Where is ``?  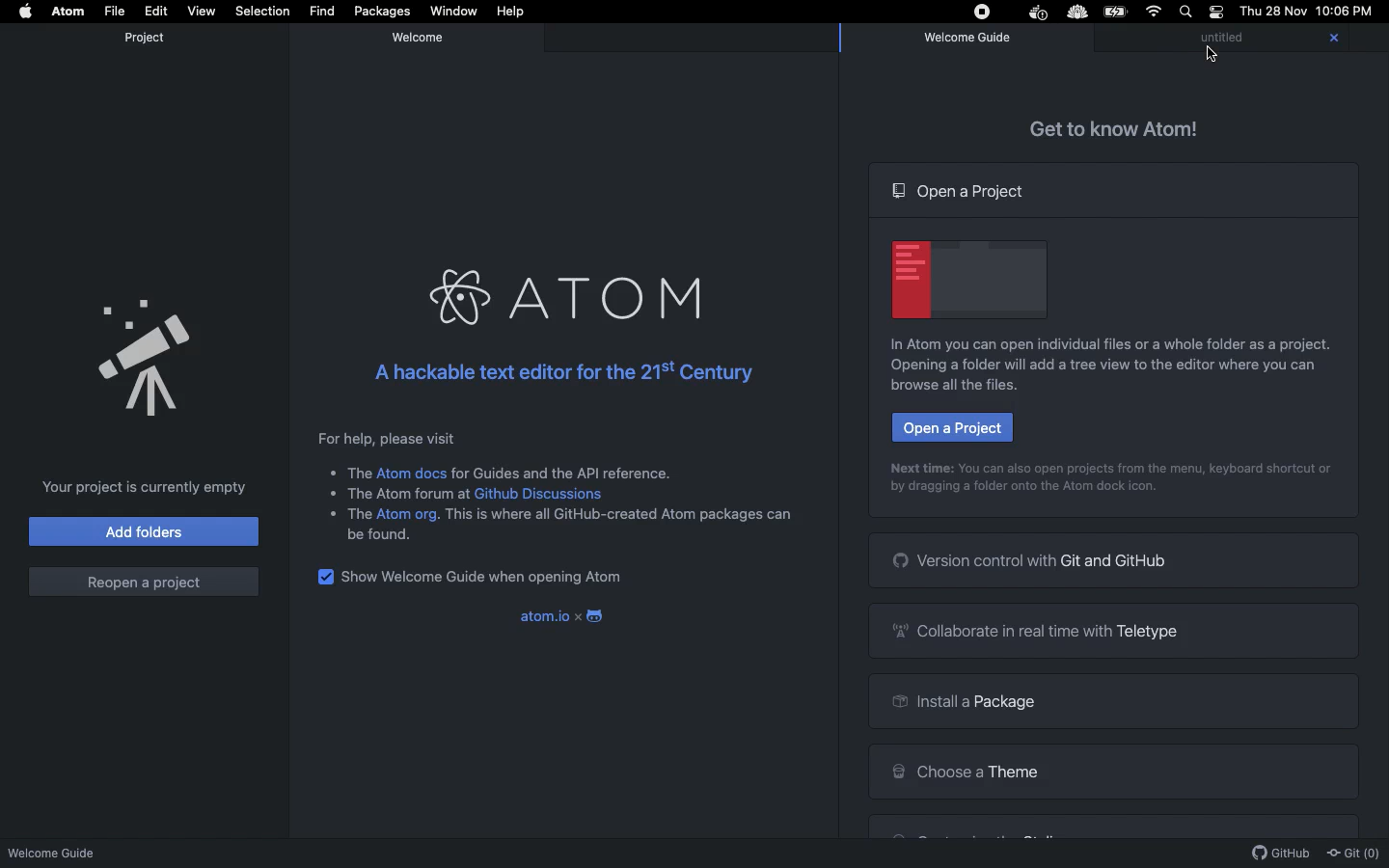
 is located at coordinates (1212, 57).